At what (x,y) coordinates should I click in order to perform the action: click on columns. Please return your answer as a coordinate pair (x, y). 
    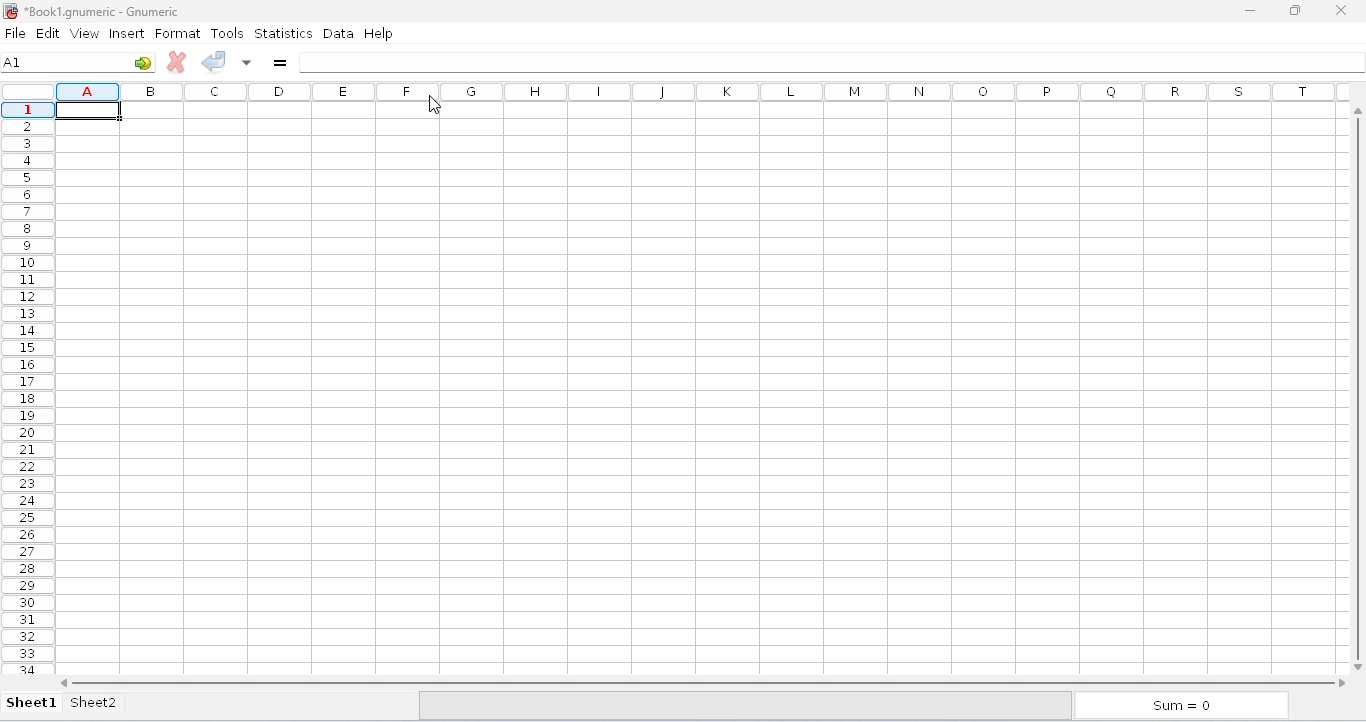
    Looking at the image, I should click on (704, 92).